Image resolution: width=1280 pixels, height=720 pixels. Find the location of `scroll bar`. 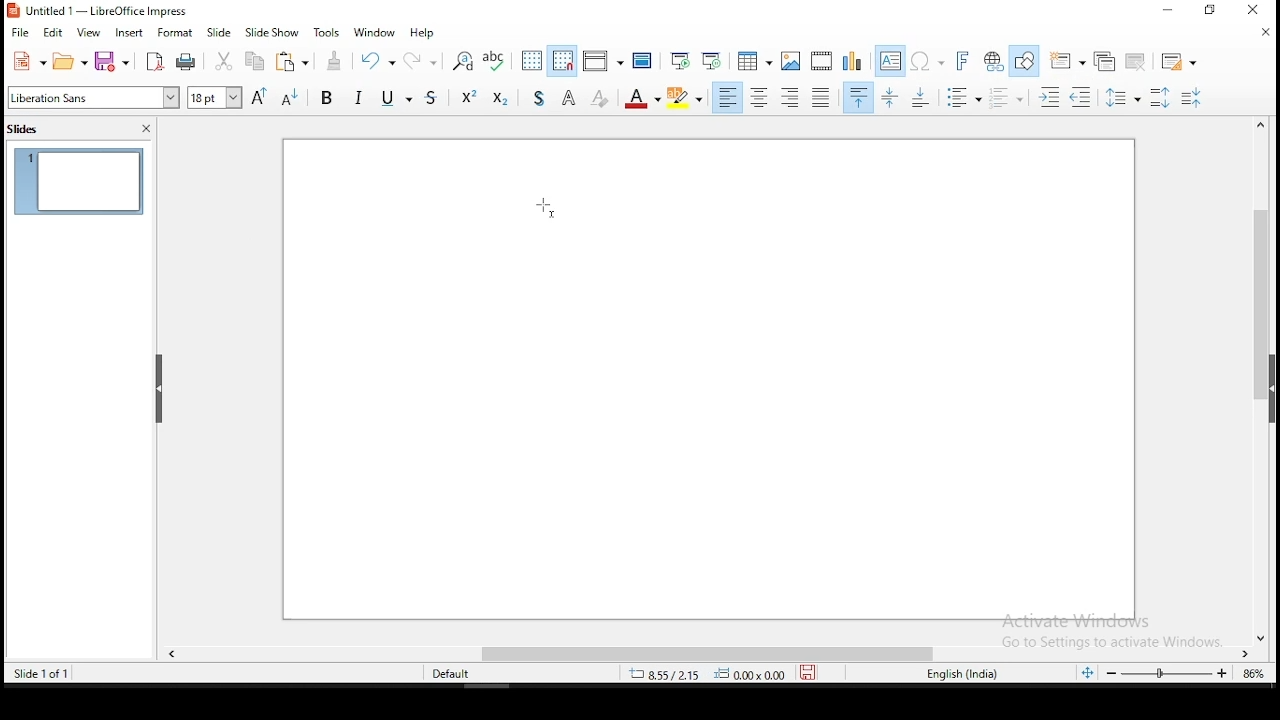

scroll bar is located at coordinates (714, 654).